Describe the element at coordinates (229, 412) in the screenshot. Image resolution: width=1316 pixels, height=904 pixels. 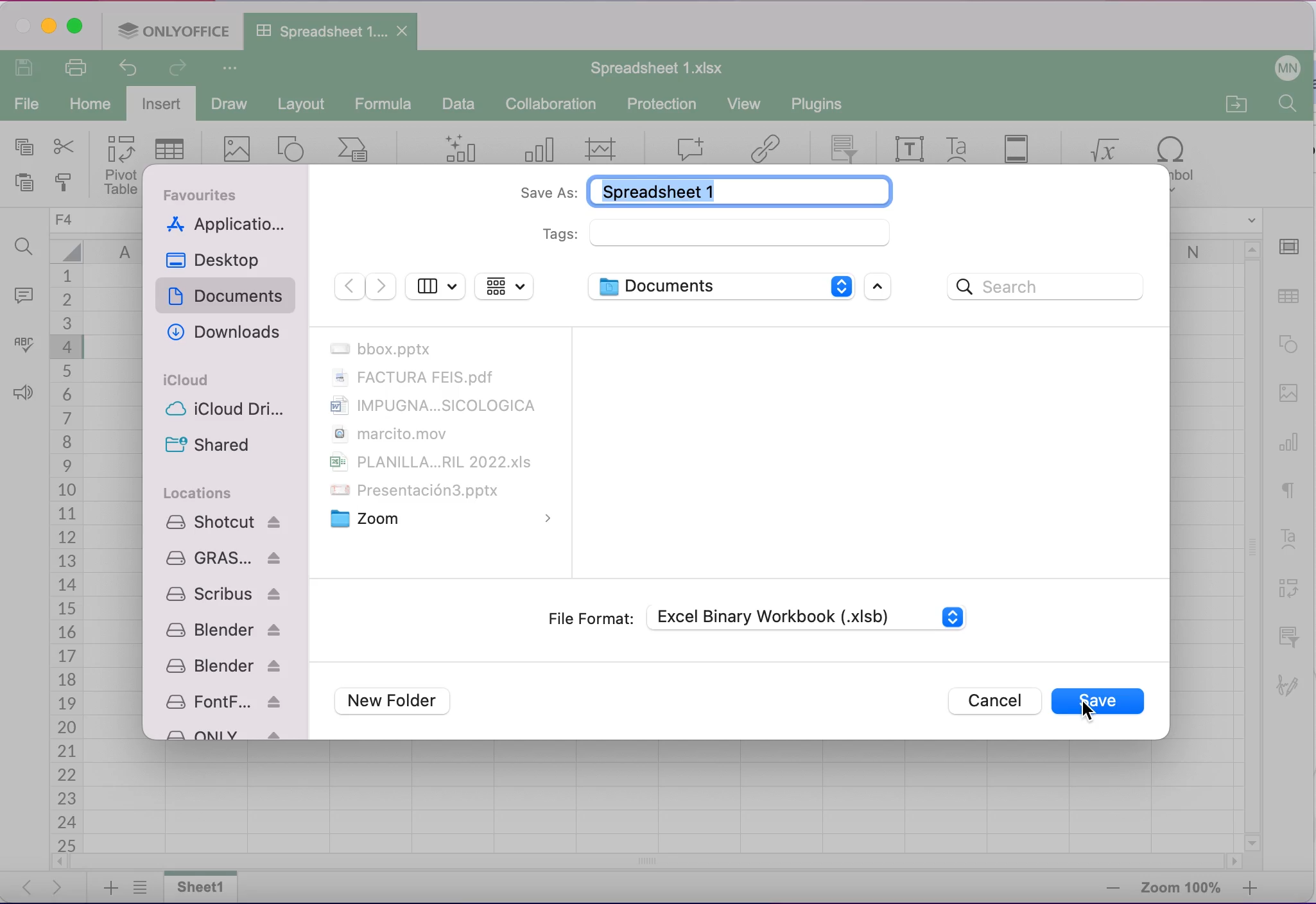
I see `icloud drive` at that location.